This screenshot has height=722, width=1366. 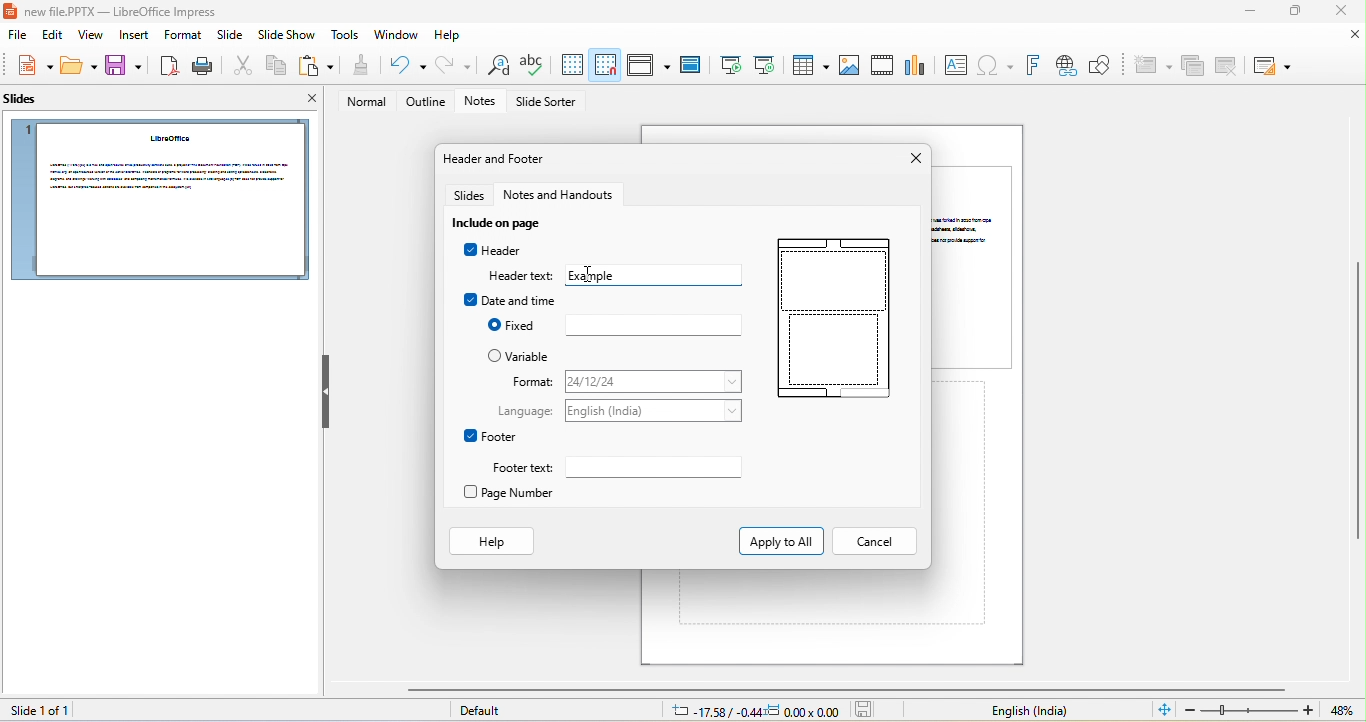 What do you see at coordinates (511, 325) in the screenshot?
I see ` Fixed` at bounding box center [511, 325].